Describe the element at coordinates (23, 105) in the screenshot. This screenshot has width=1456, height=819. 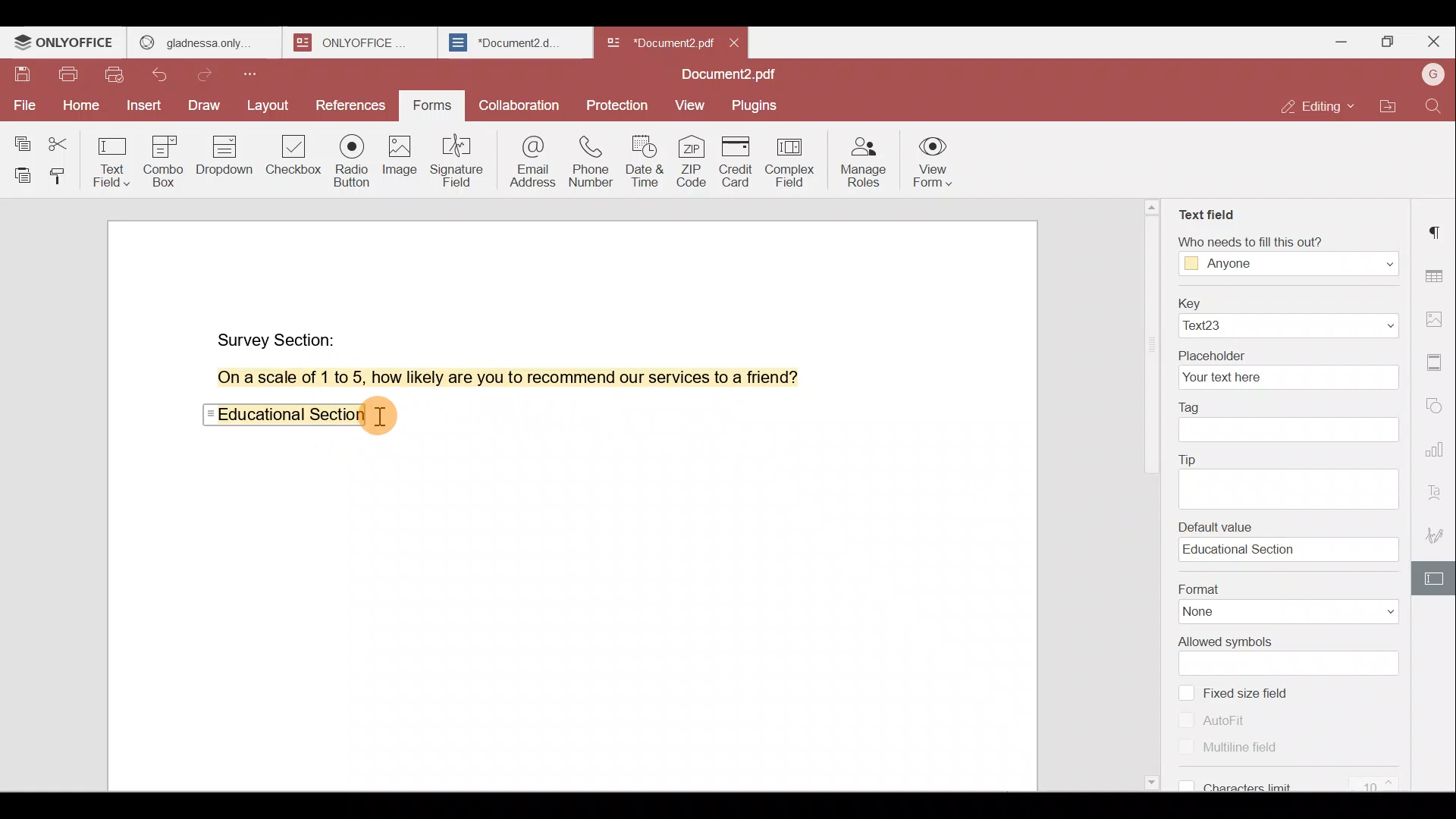
I see `File` at that location.